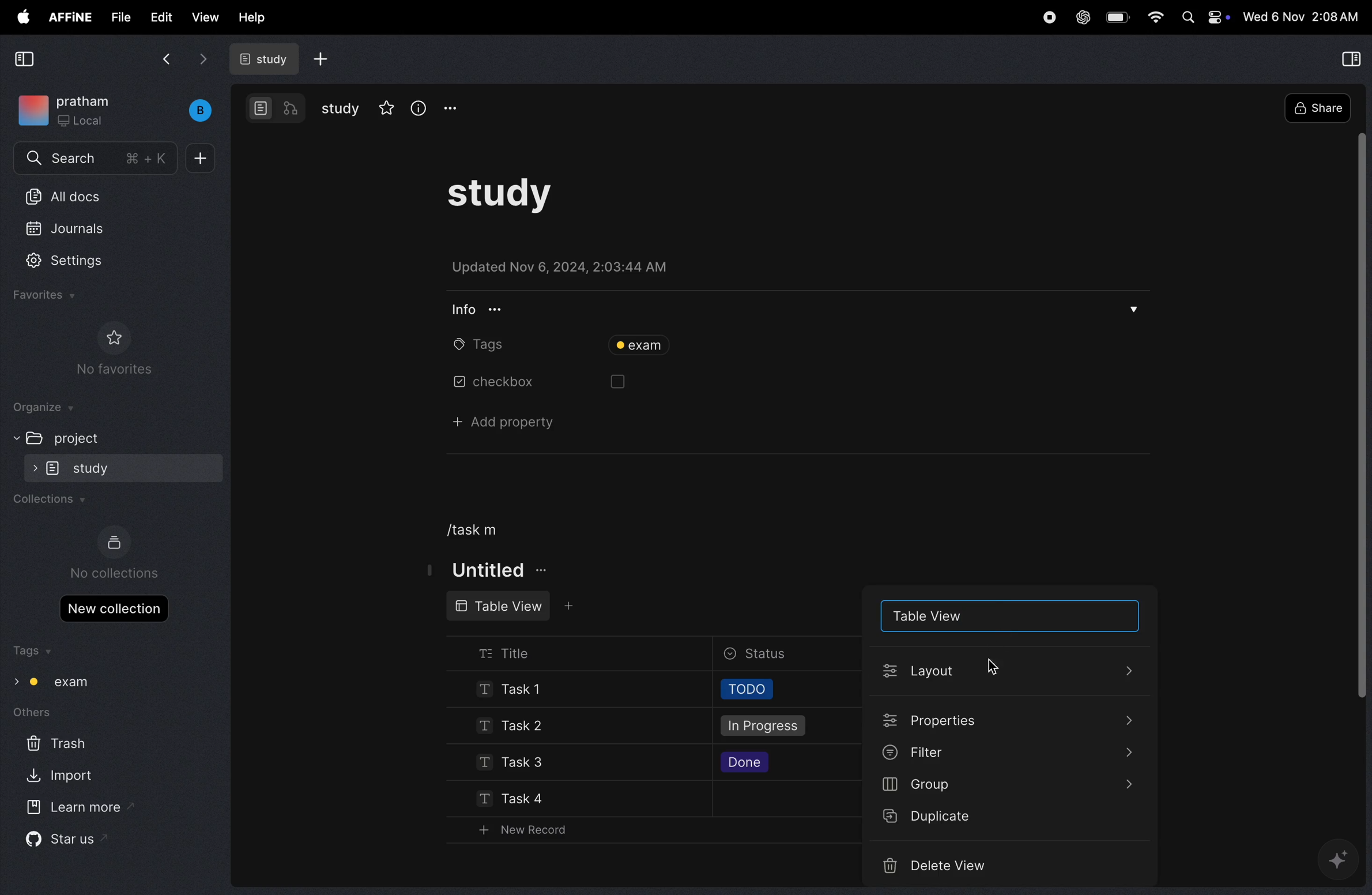 This screenshot has height=895, width=1372. I want to click on work space, so click(114, 112).